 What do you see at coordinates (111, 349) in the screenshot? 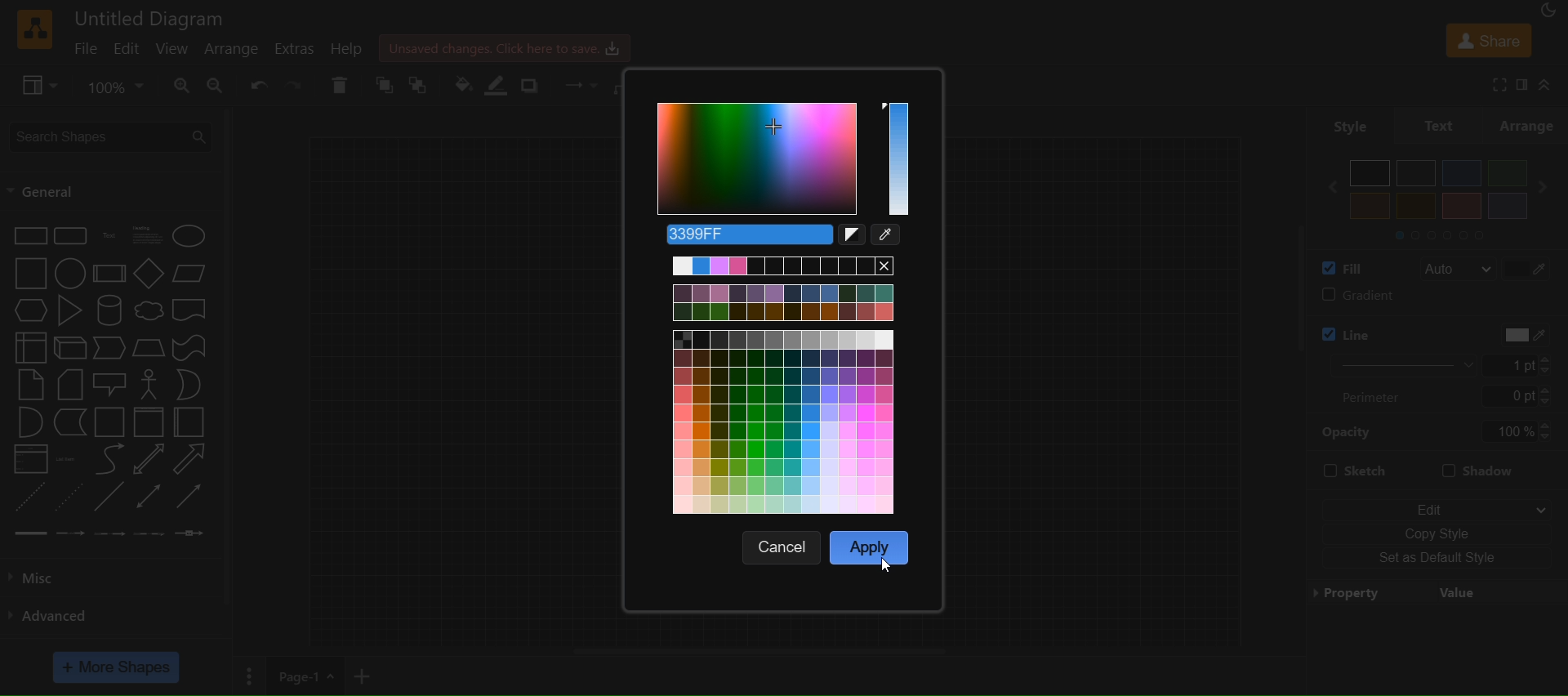
I see `step` at bounding box center [111, 349].